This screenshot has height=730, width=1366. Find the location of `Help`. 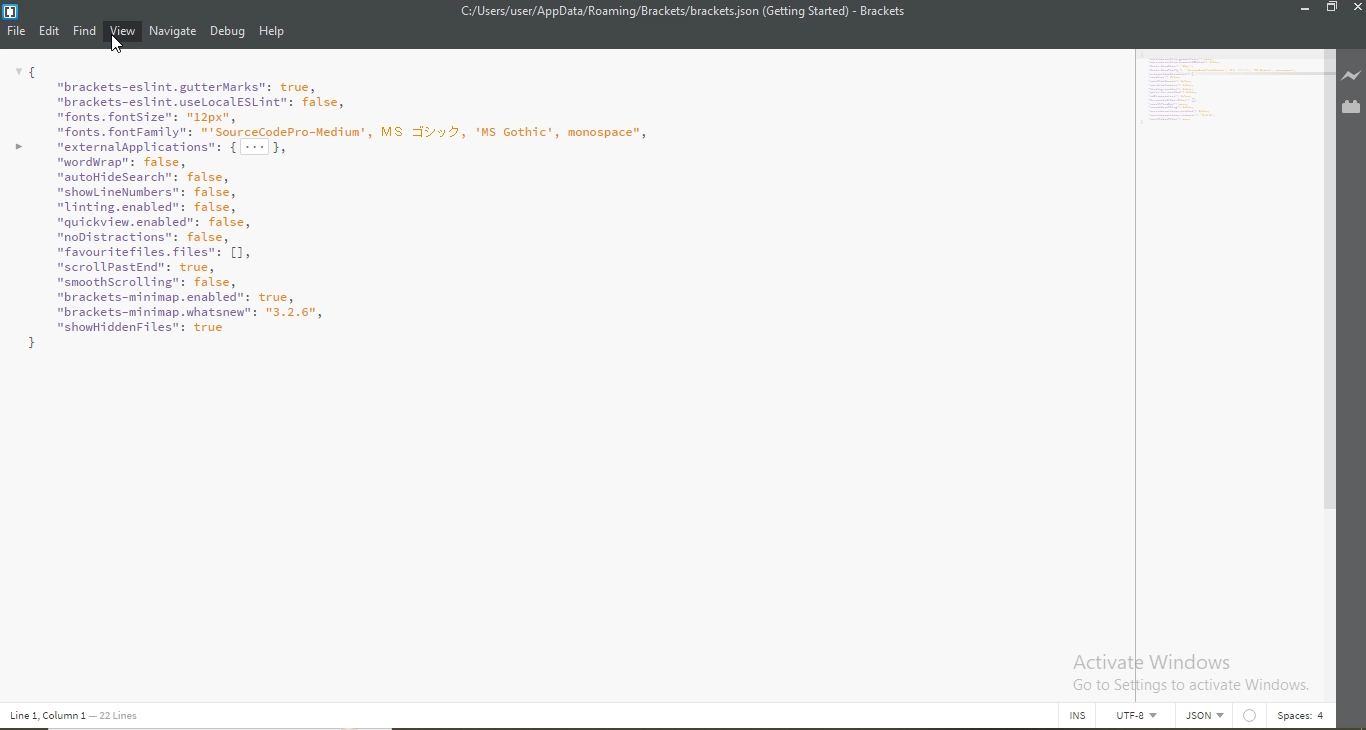

Help is located at coordinates (273, 33).